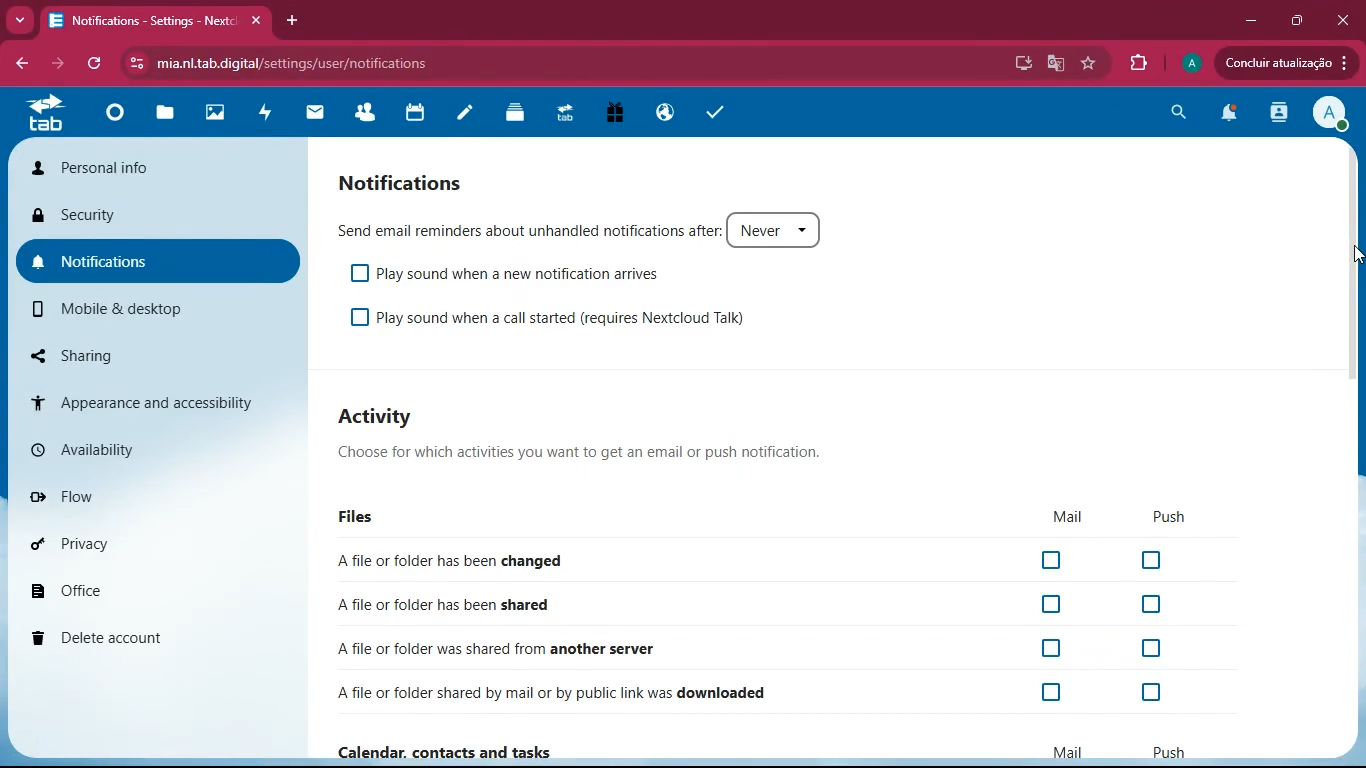 This screenshot has height=768, width=1366. I want to click on gift, so click(621, 114).